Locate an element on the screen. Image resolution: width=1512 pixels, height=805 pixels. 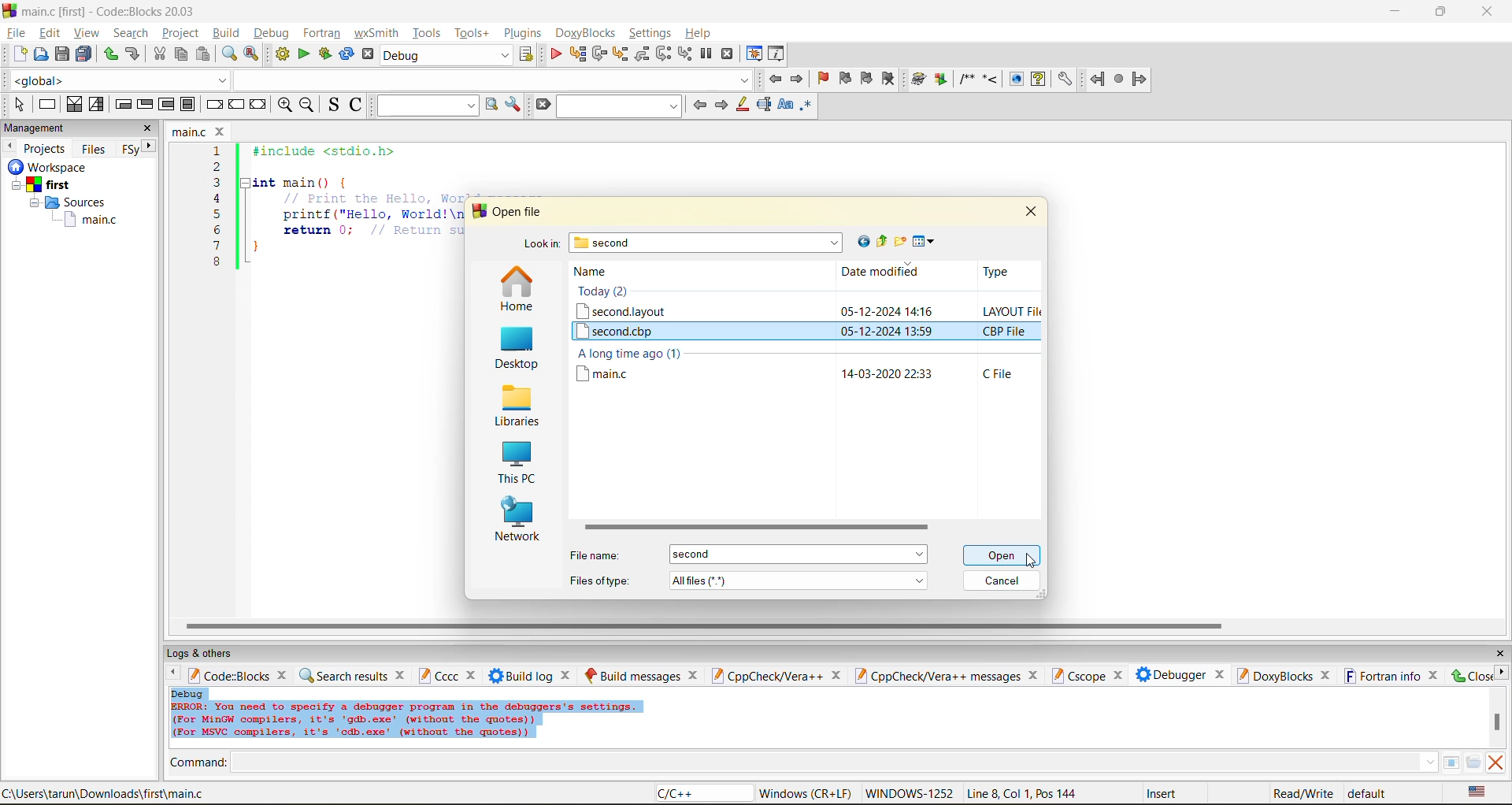
close is located at coordinates (836, 676).